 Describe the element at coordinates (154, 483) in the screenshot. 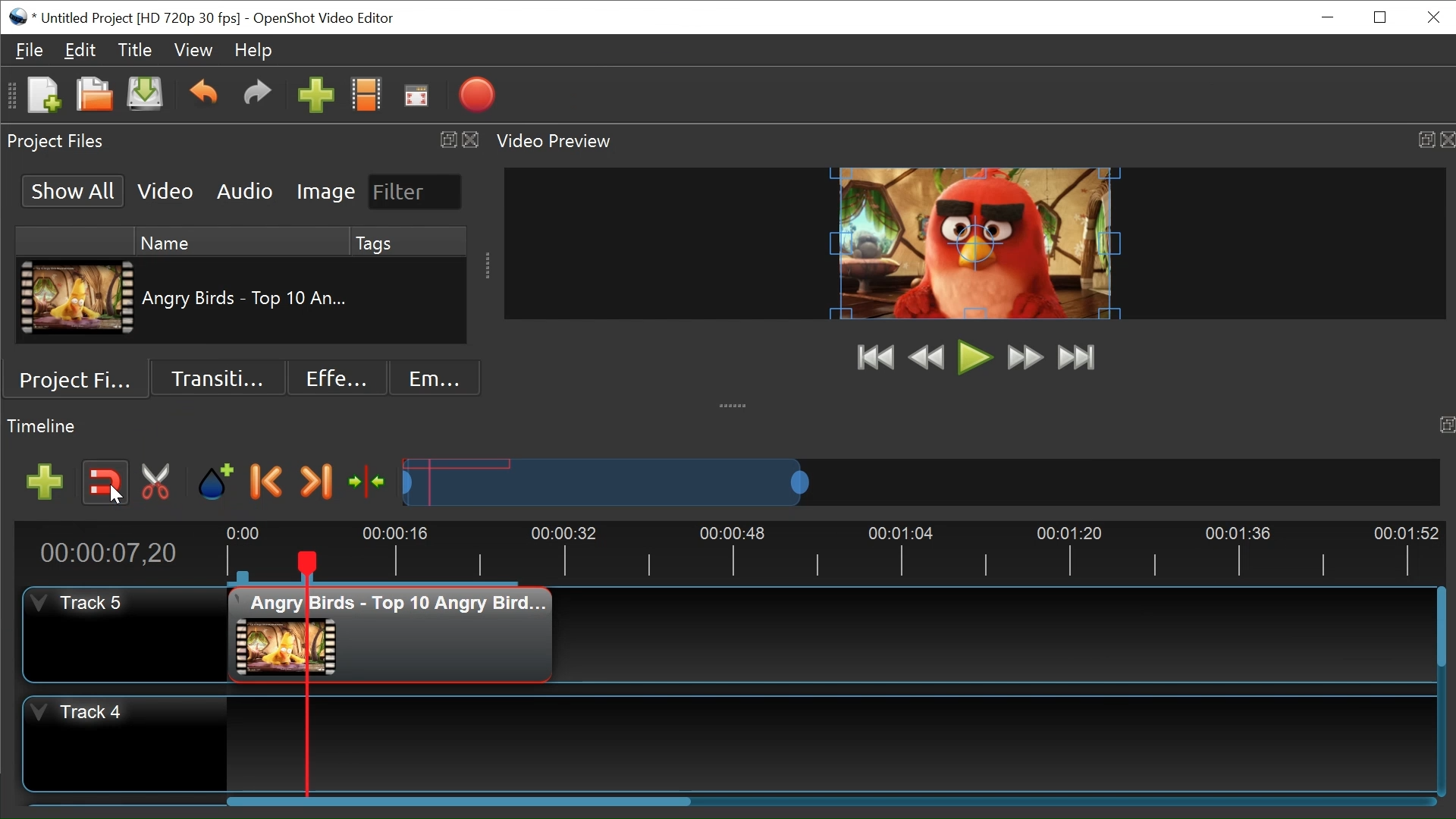

I see `Razor` at that location.